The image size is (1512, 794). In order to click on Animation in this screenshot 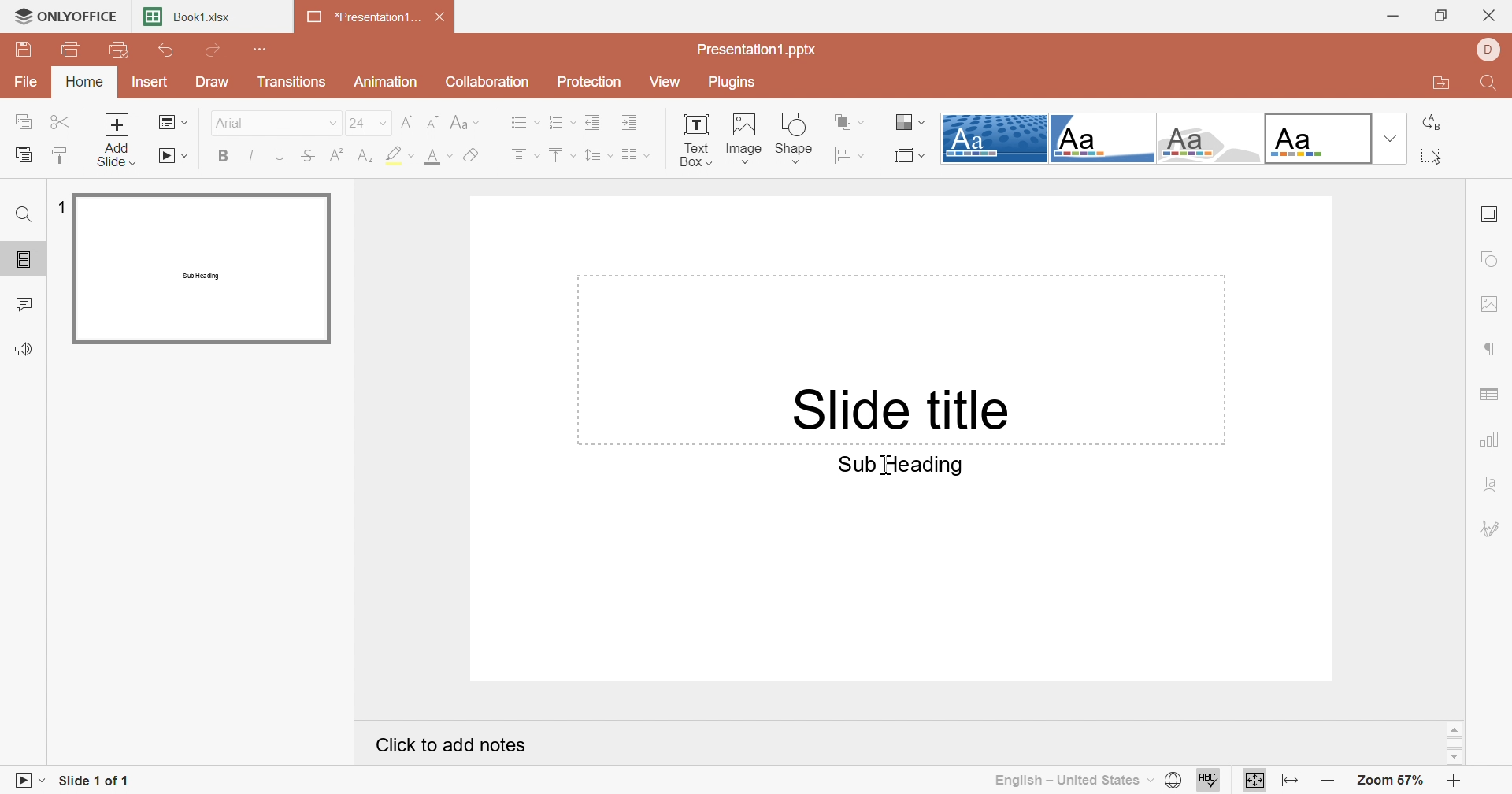, I will do `click(387, 83)`.